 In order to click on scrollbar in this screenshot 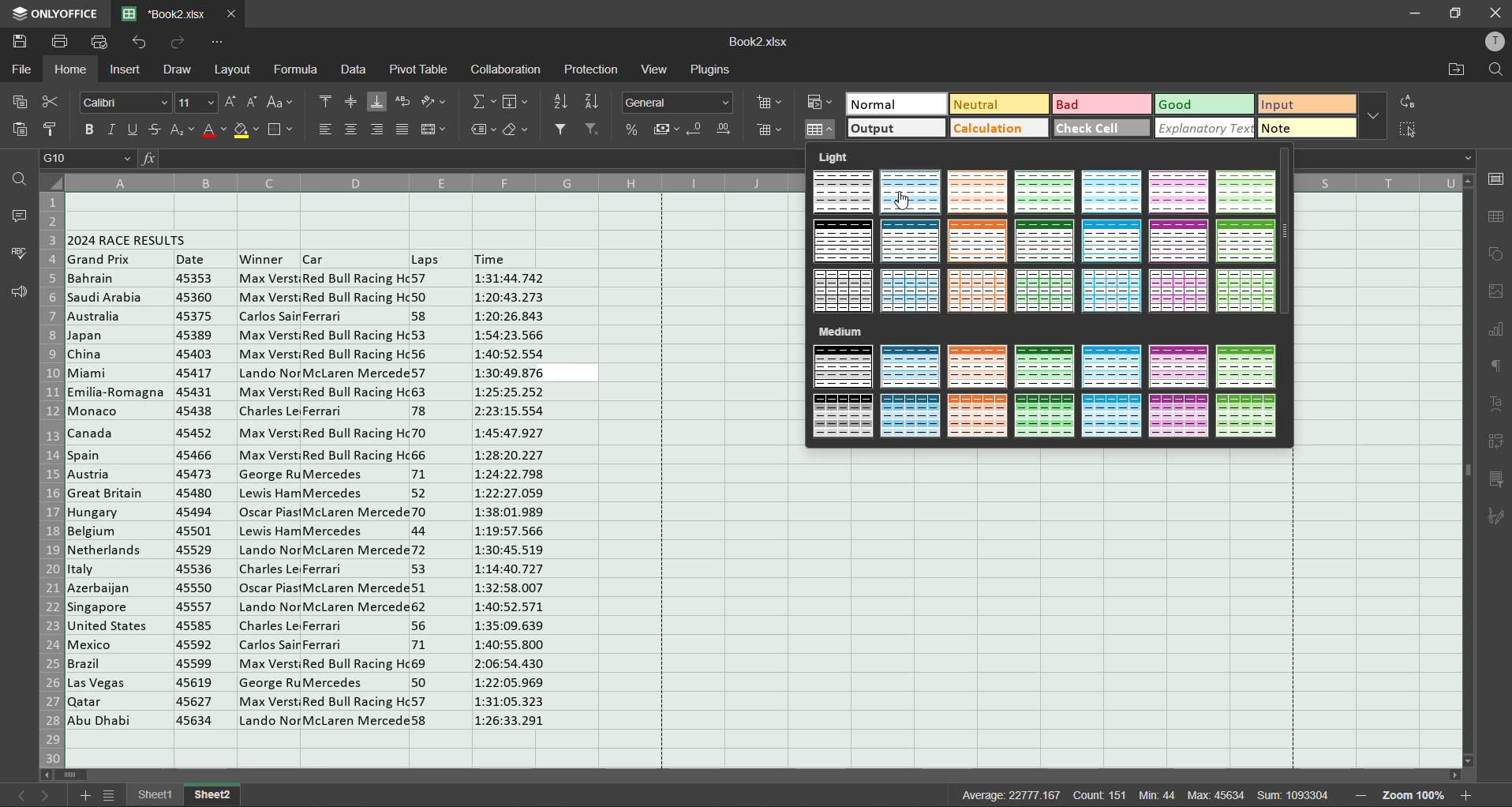, I will do `click(767, 775)`.